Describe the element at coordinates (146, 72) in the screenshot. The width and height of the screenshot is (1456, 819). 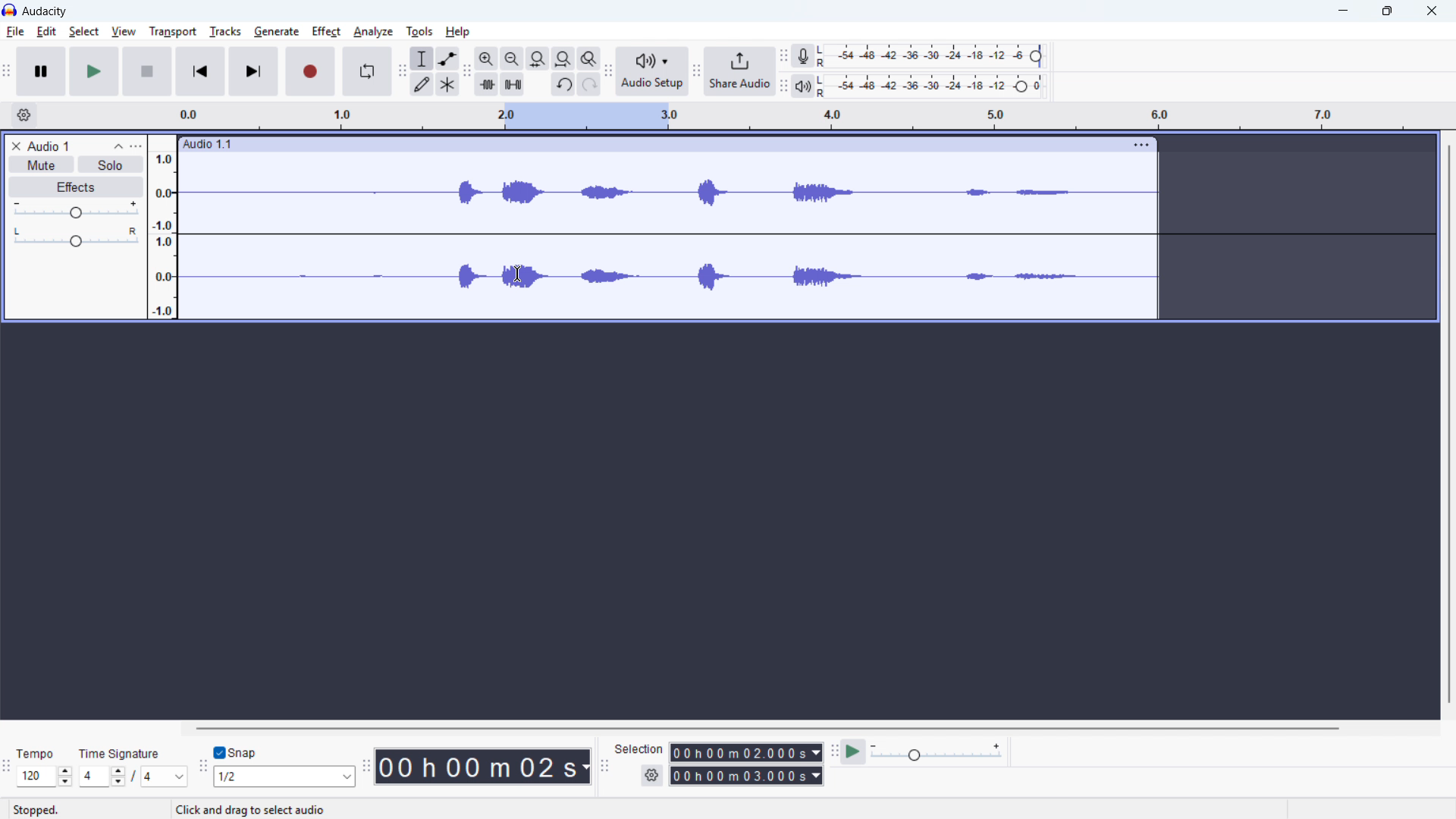
I see `Stop` at that location.